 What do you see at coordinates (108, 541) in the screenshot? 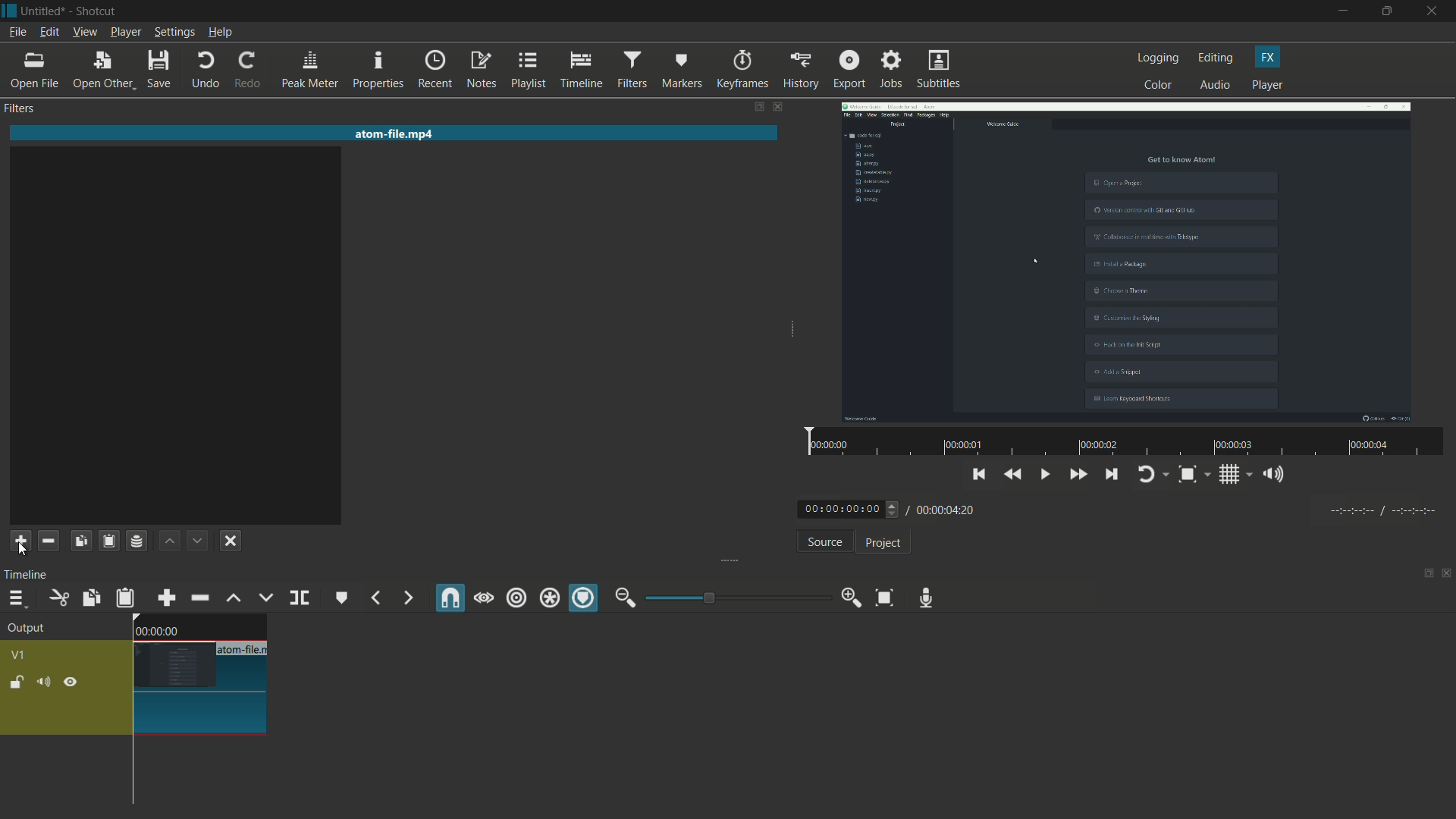
I see `paste filters` at bounding box center [108, 541].